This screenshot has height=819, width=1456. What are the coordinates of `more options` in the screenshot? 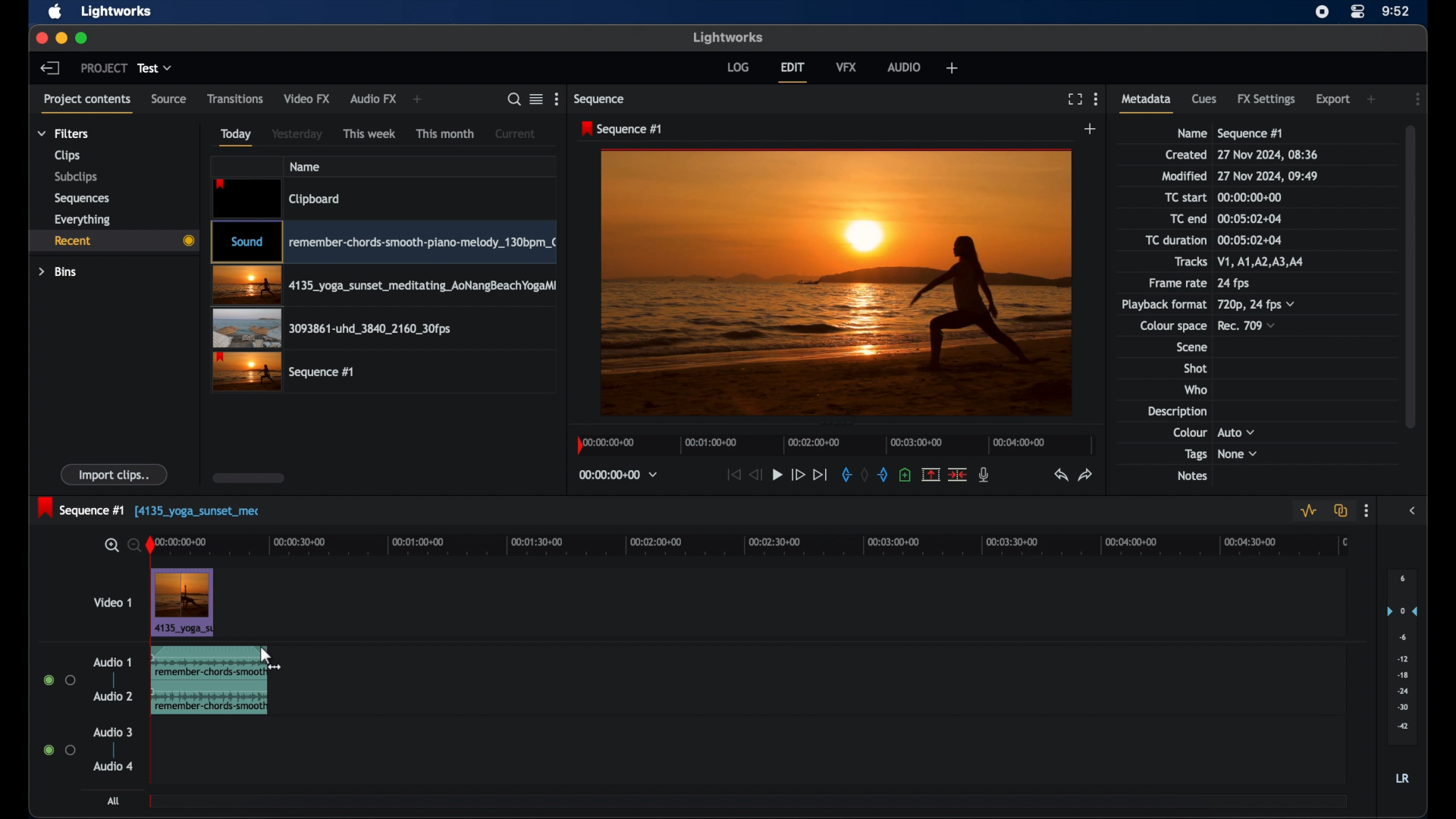 It's located at (1097, 99).